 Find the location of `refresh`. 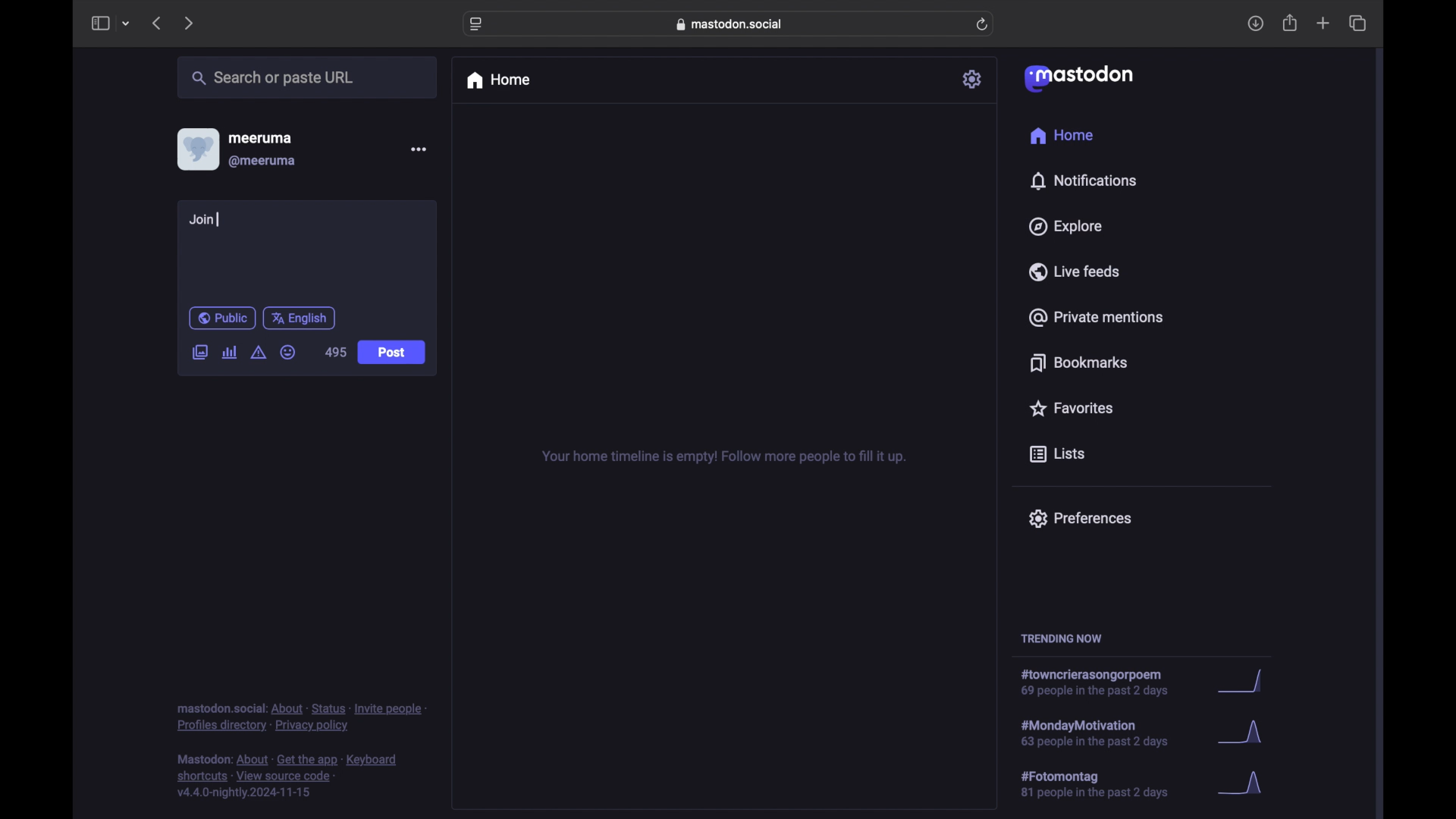

refresh is located at coordinates (984, 25).